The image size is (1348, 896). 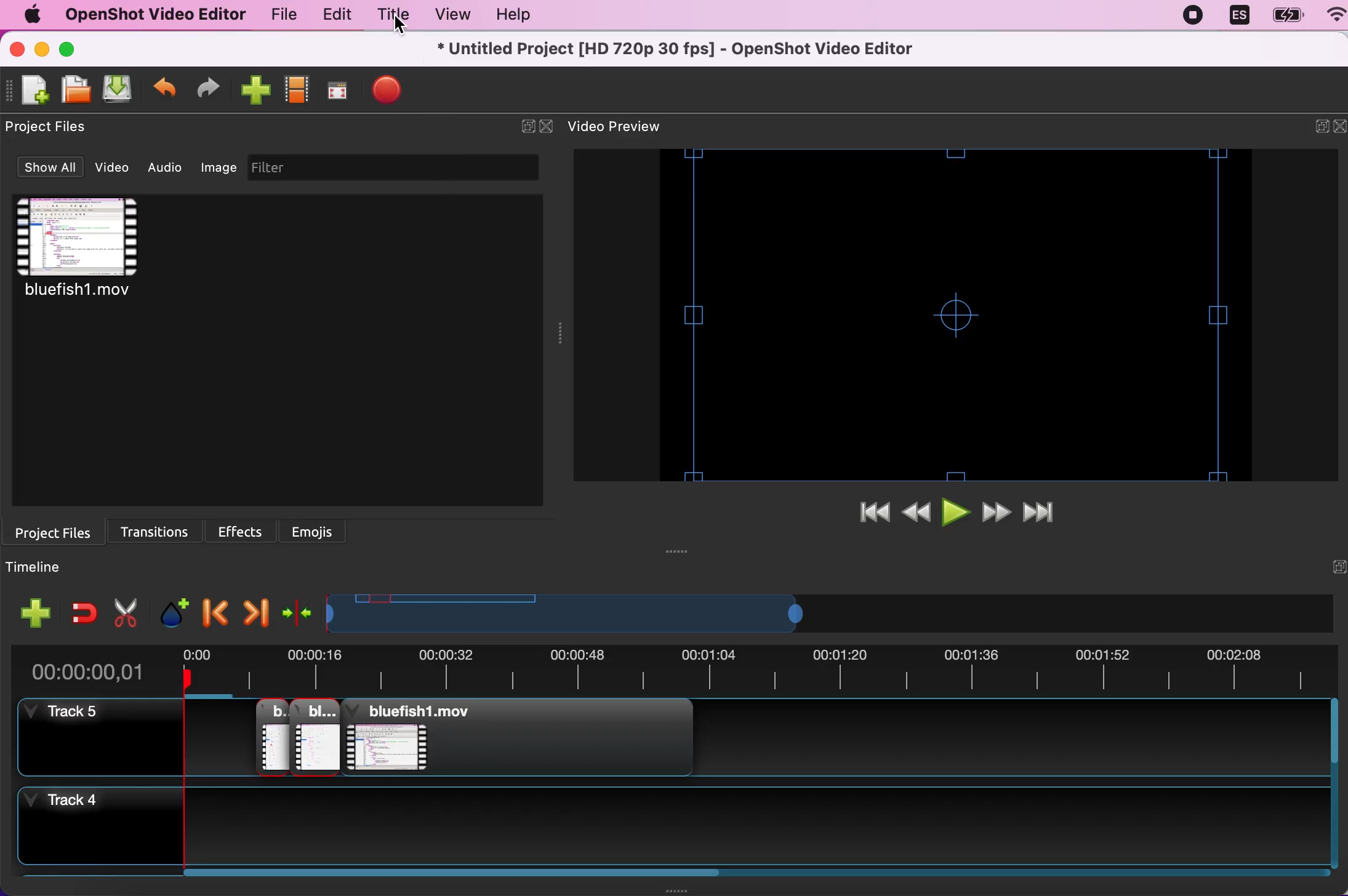 What do you see at coordinates (508, 17) in the screenshot?
I see `help` at bounding box center [508, 17].